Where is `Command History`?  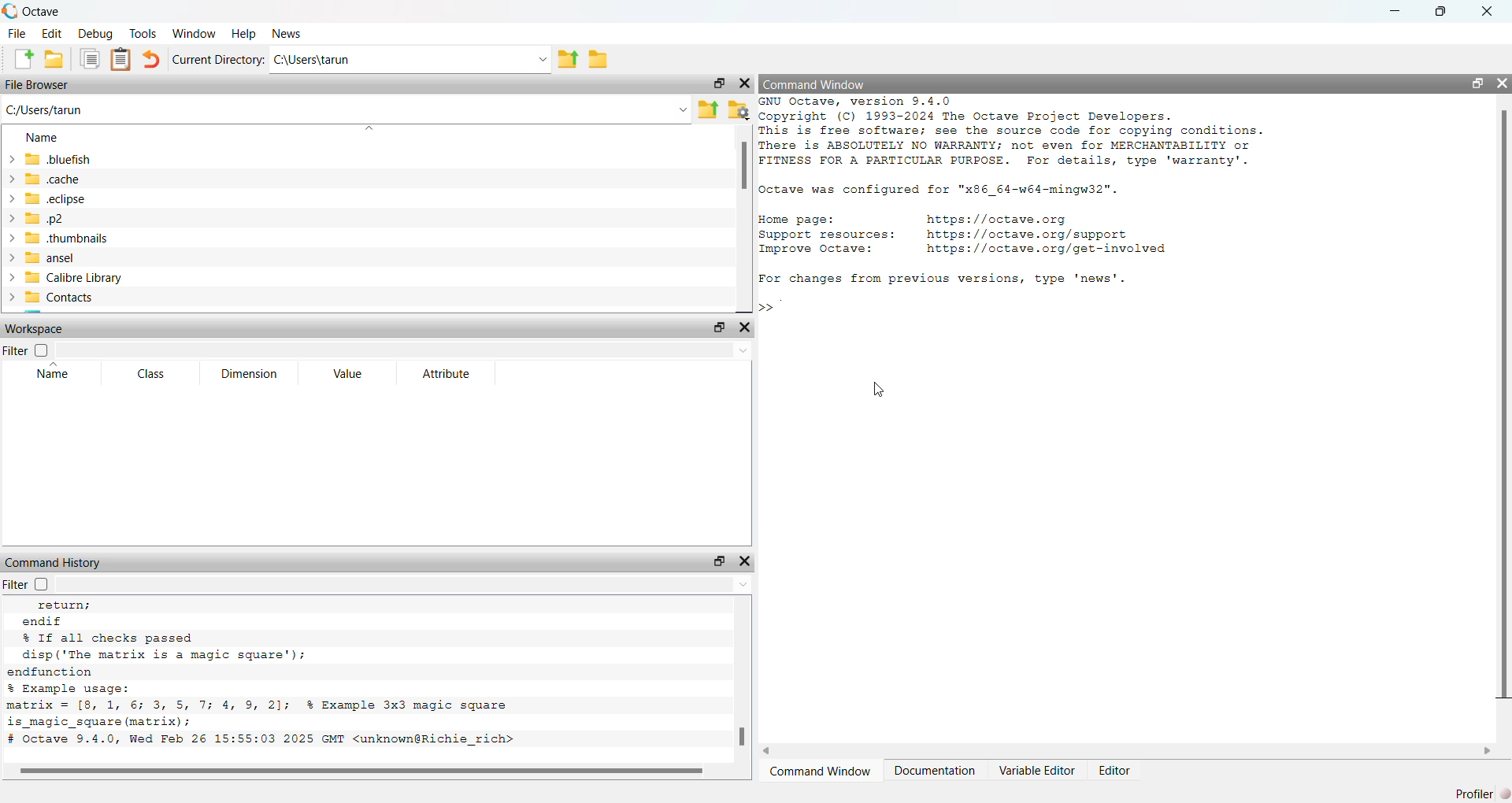
Command History is located at coordinates (53, 563).